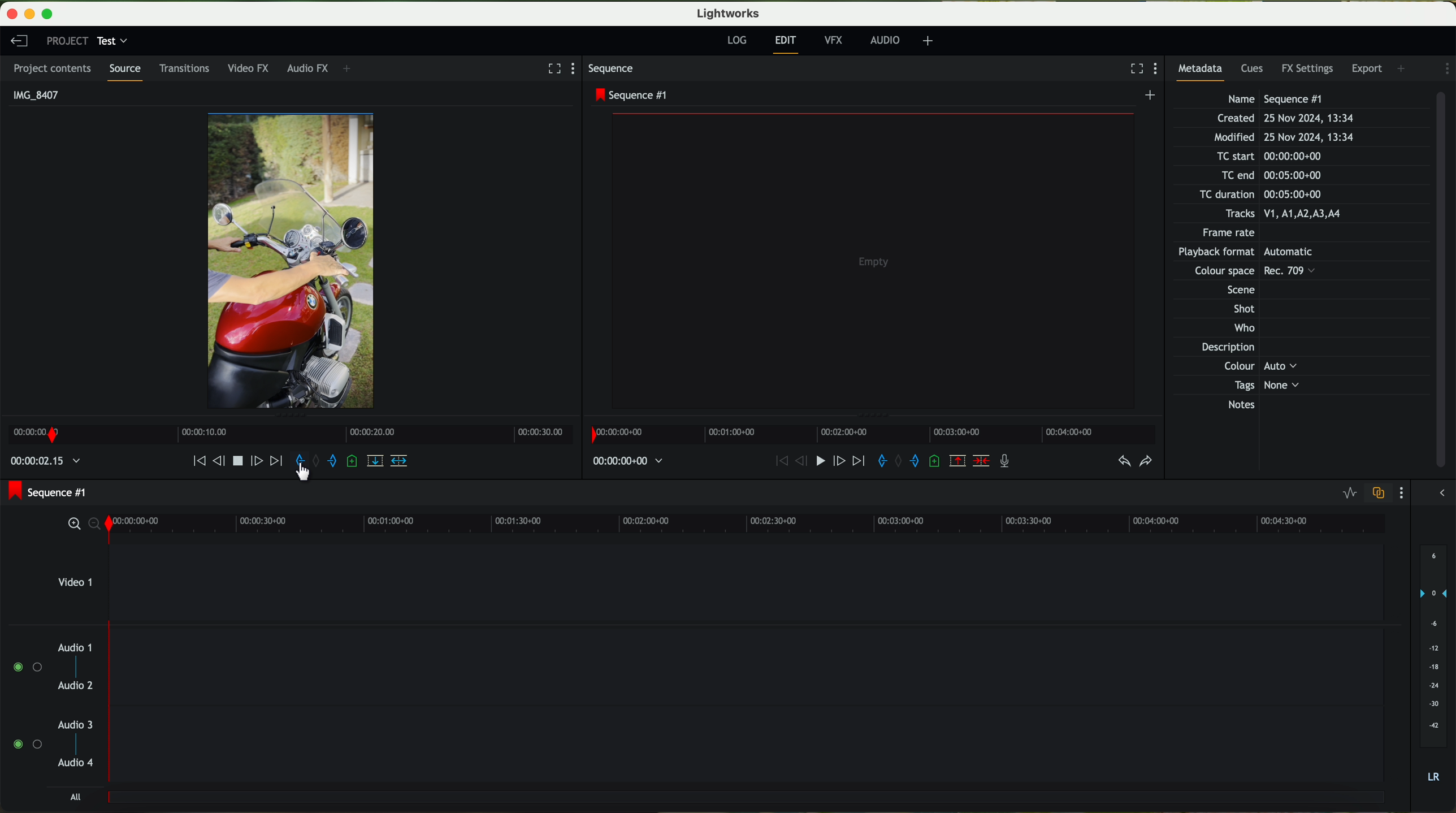 The image size is (1456, 813). I want to click on move foward, so click(276, 461).